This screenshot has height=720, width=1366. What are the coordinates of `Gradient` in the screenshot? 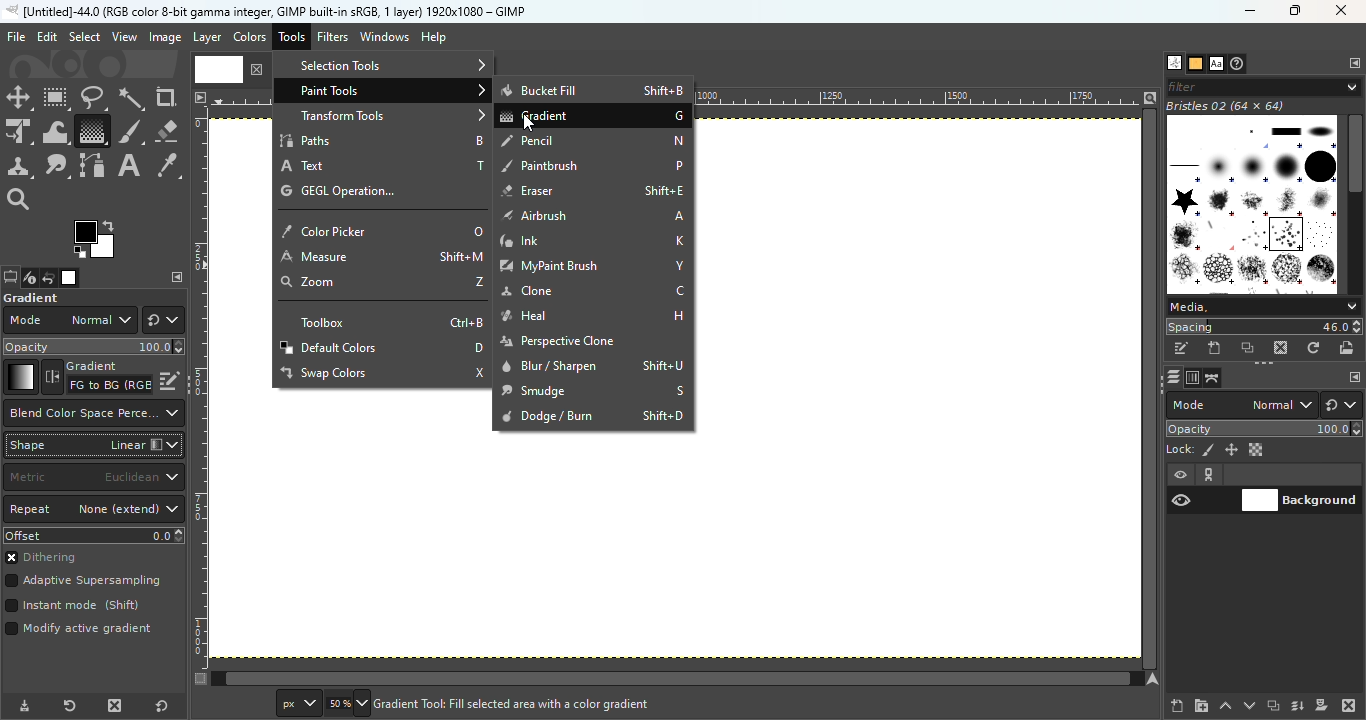 It's located at (592, 116).